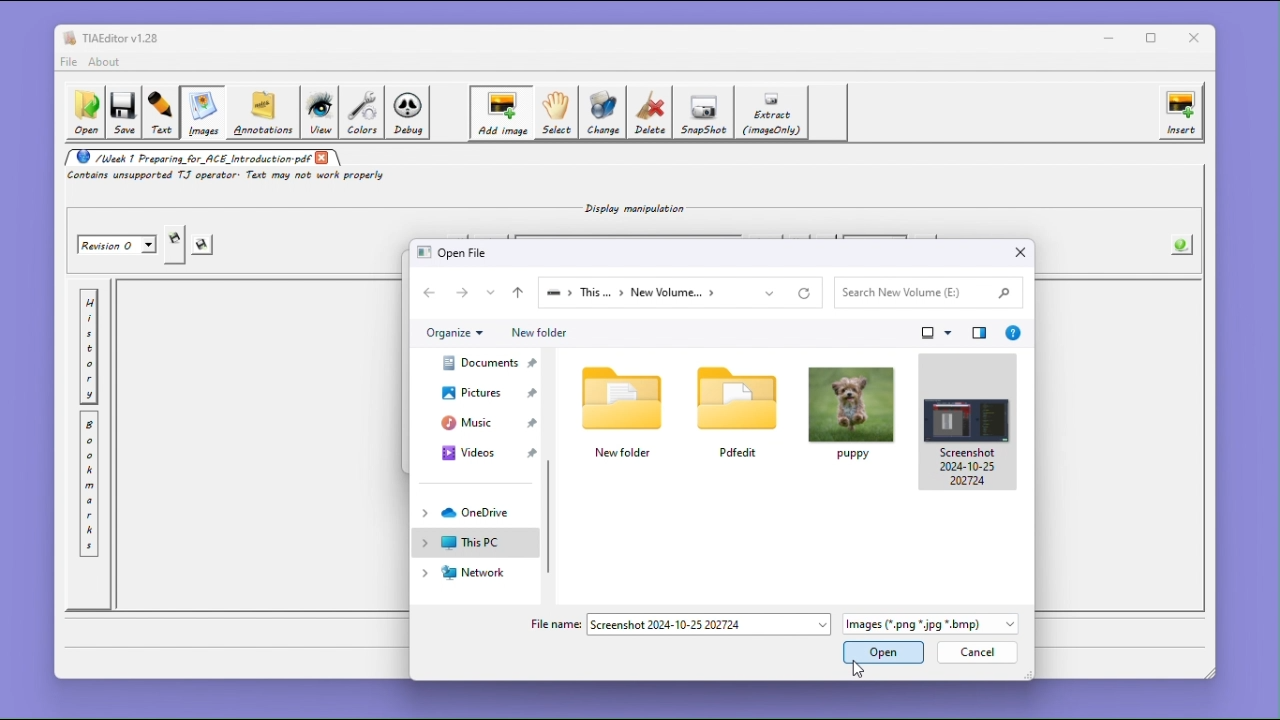 The image size is (1280, 720). I want to click on go forward, so click(464, 292).